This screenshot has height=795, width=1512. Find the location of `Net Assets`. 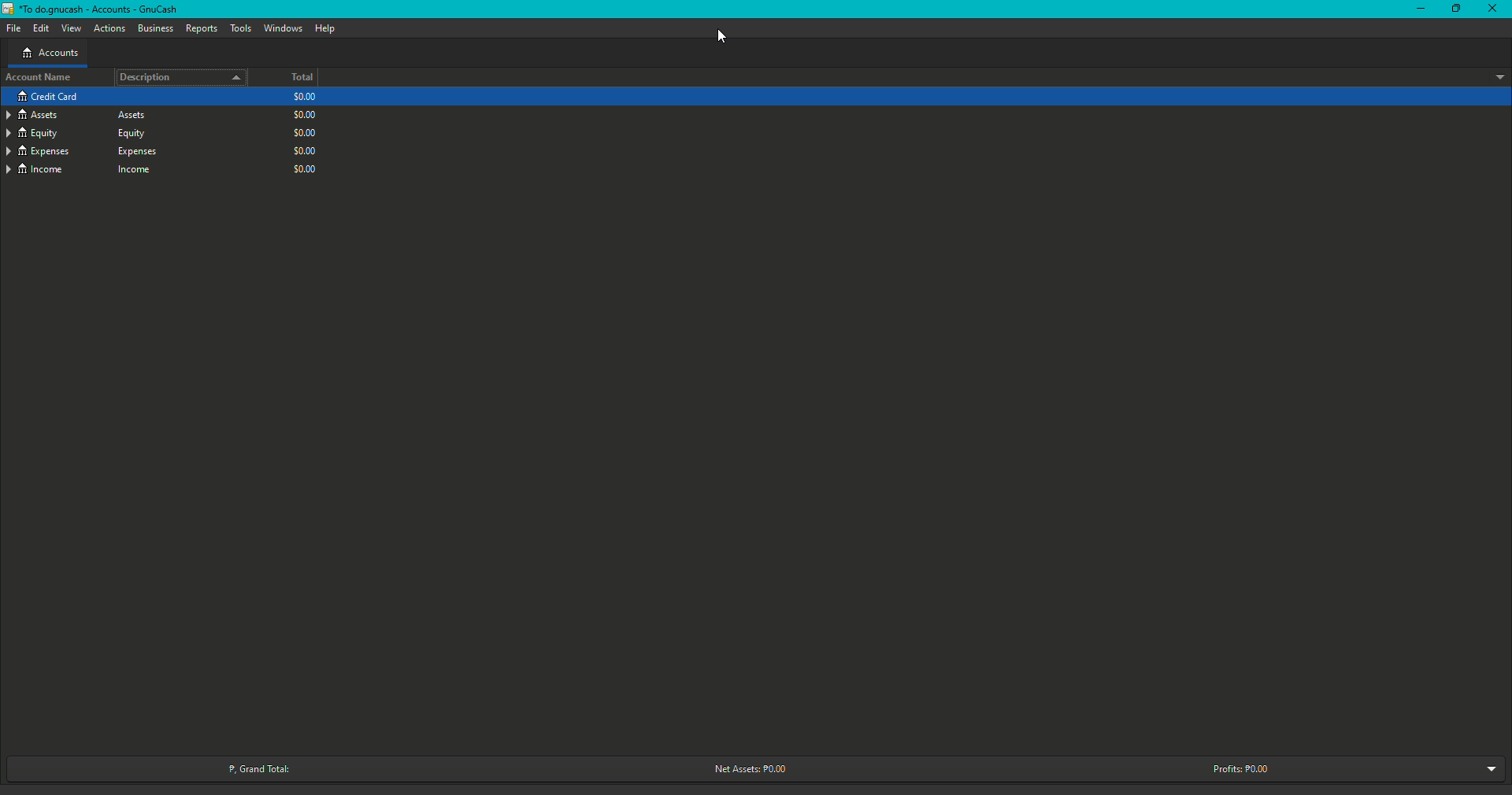

Net Assets is located at coordinates (753, 769).